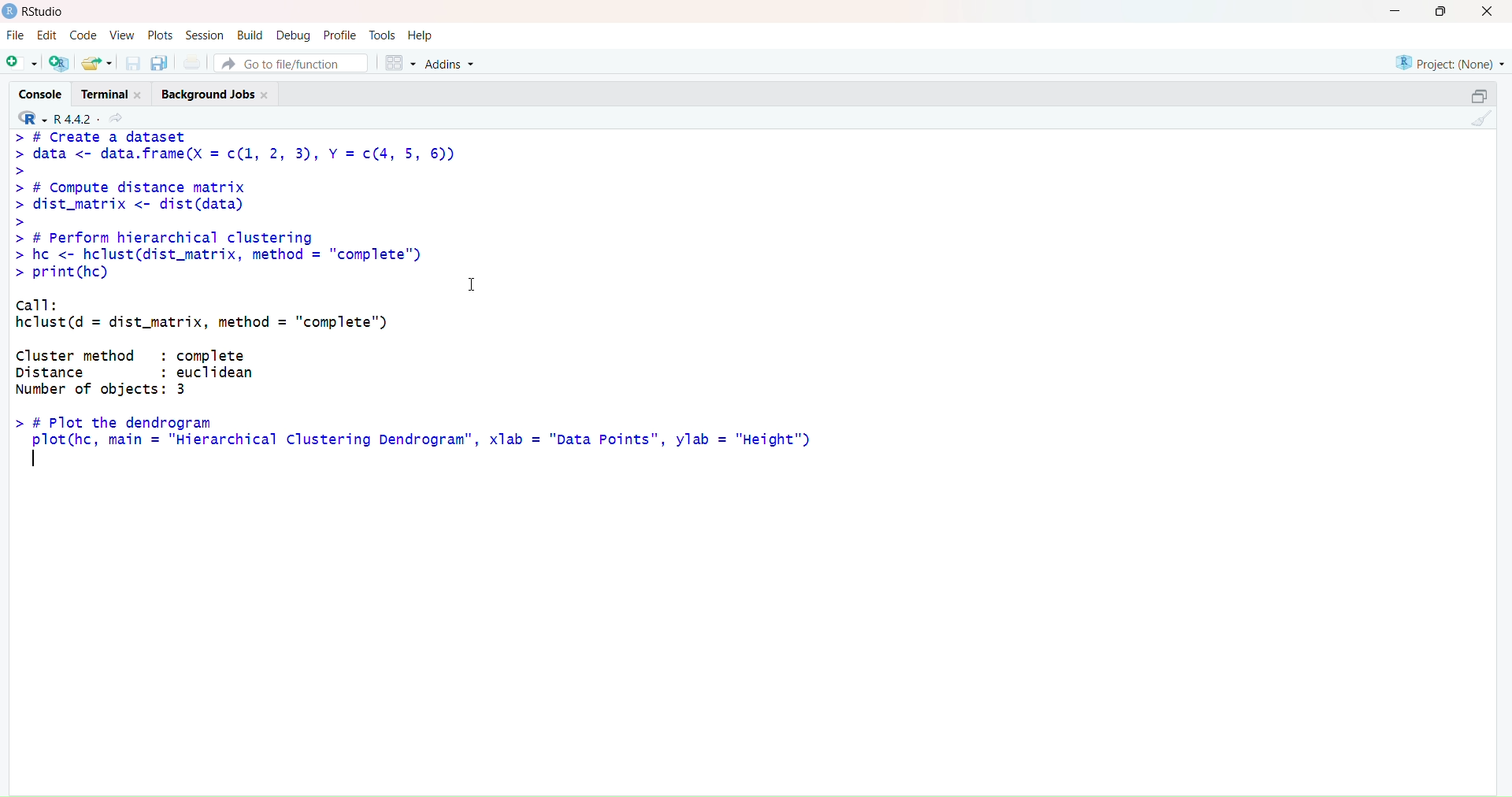 The image size is (1512, 797). I want to click on Session, so click(206, 34).